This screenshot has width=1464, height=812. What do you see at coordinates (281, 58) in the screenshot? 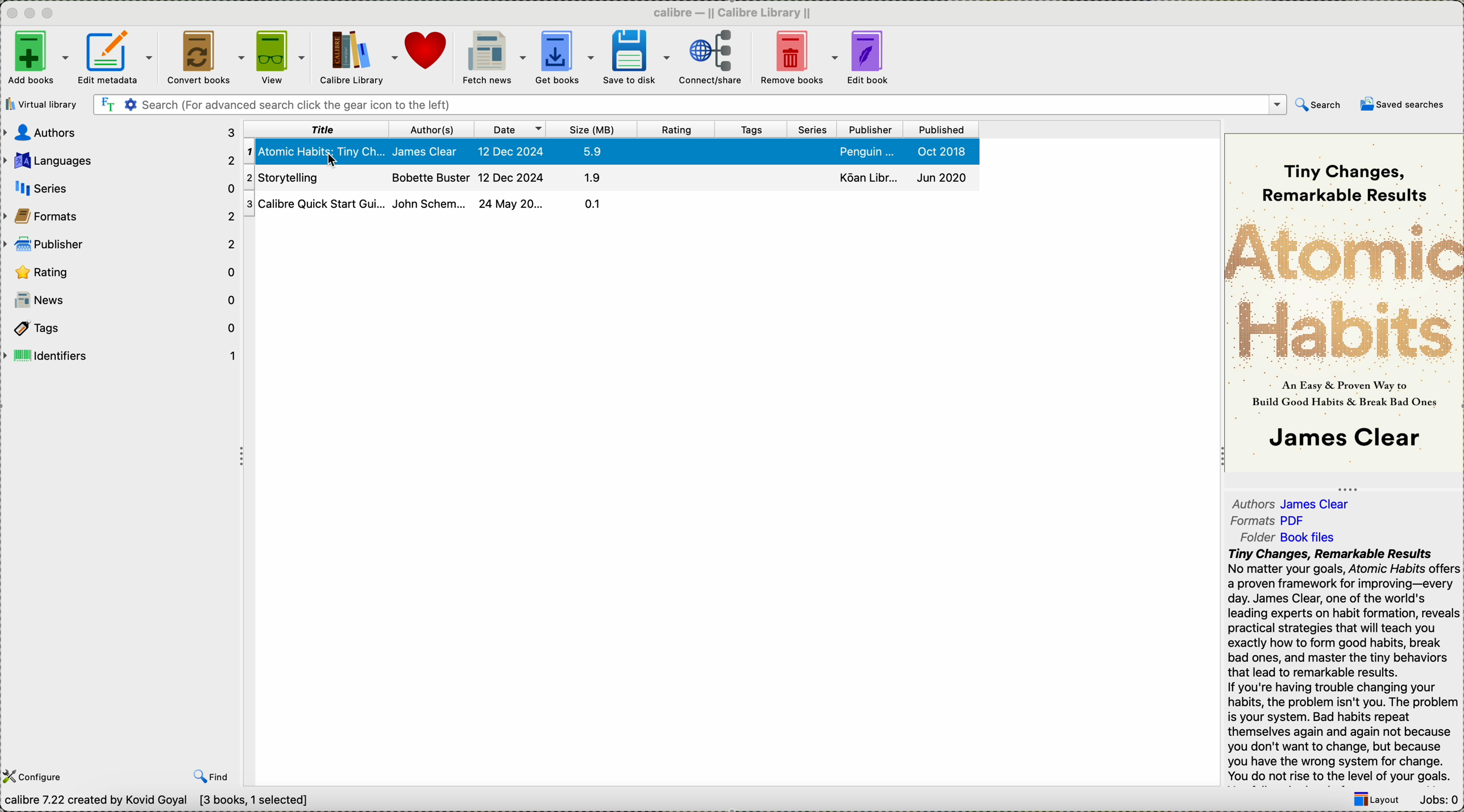
I see `view` at bounding box center [281, 58].